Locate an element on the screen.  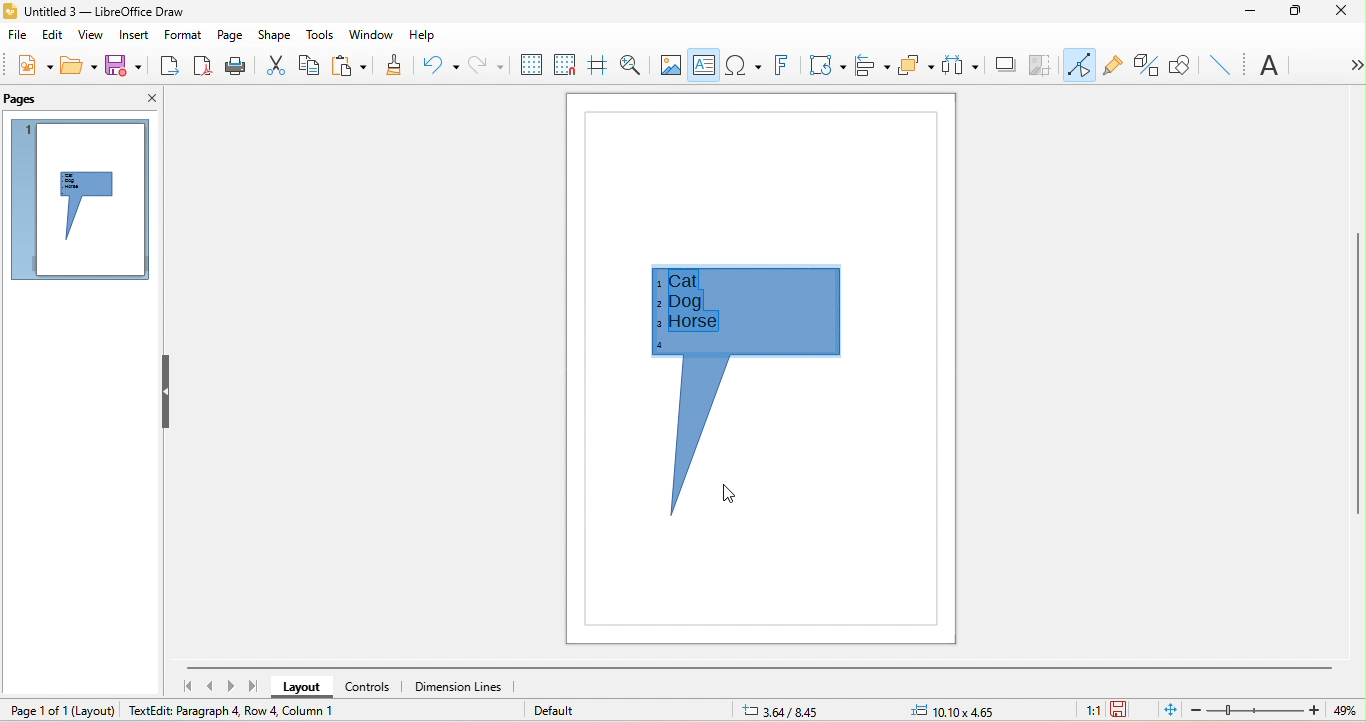
show draw function is located at coordinates (1180, 63).